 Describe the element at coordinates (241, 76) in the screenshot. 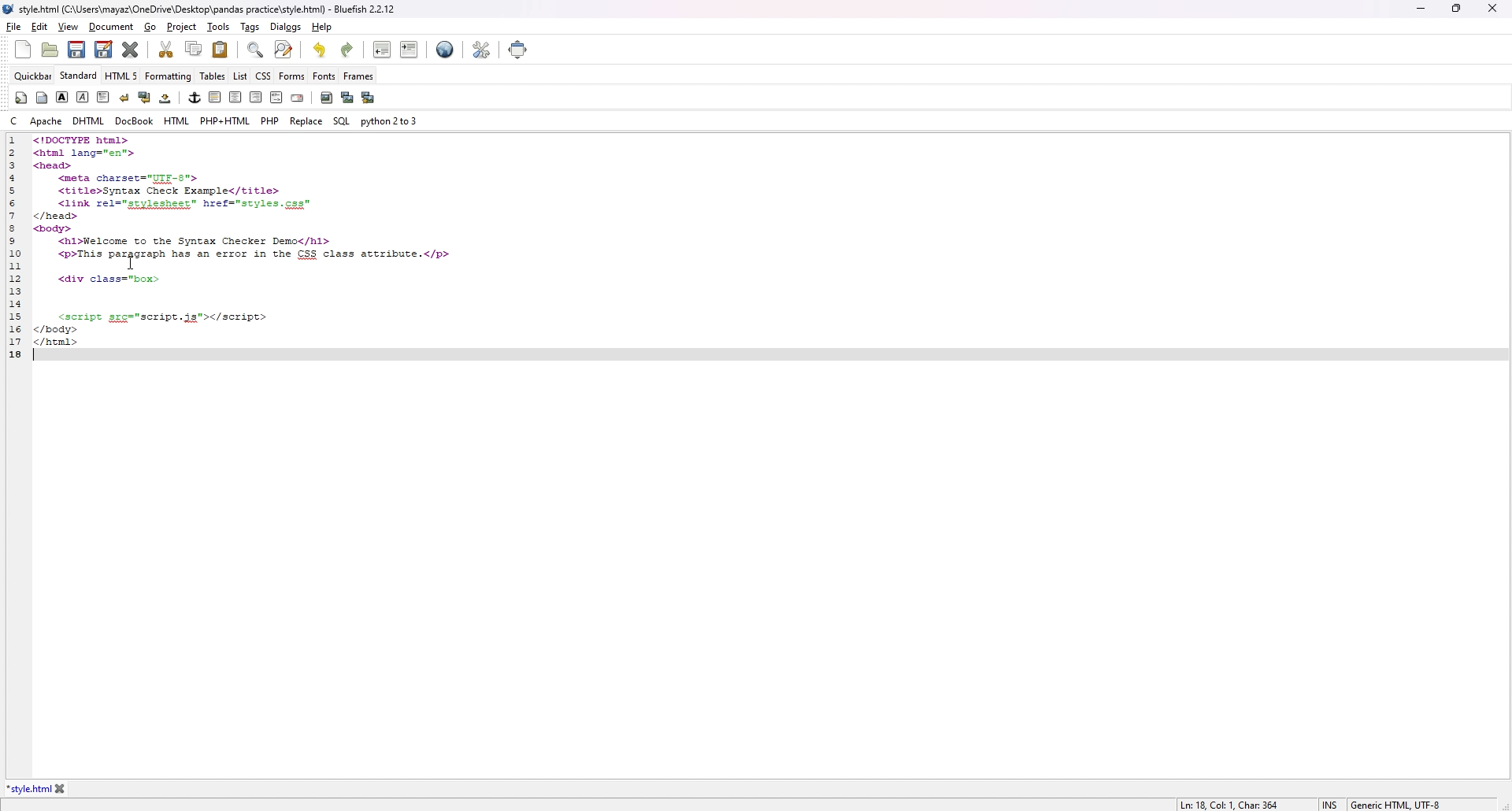

I see `list` at that location.